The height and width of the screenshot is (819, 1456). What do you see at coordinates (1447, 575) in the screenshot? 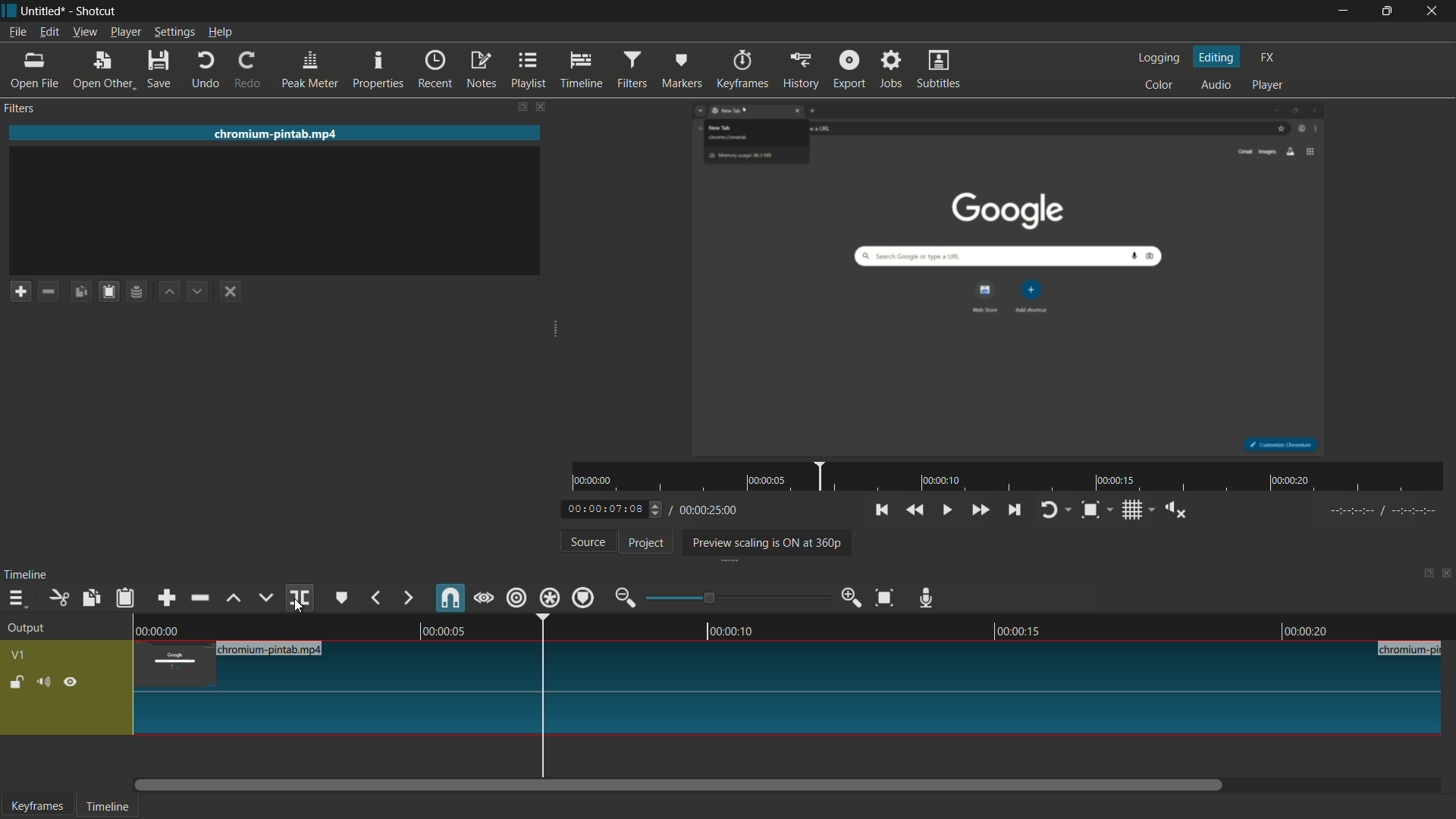
I see `close timeline` at bounding box center [1447, 575].